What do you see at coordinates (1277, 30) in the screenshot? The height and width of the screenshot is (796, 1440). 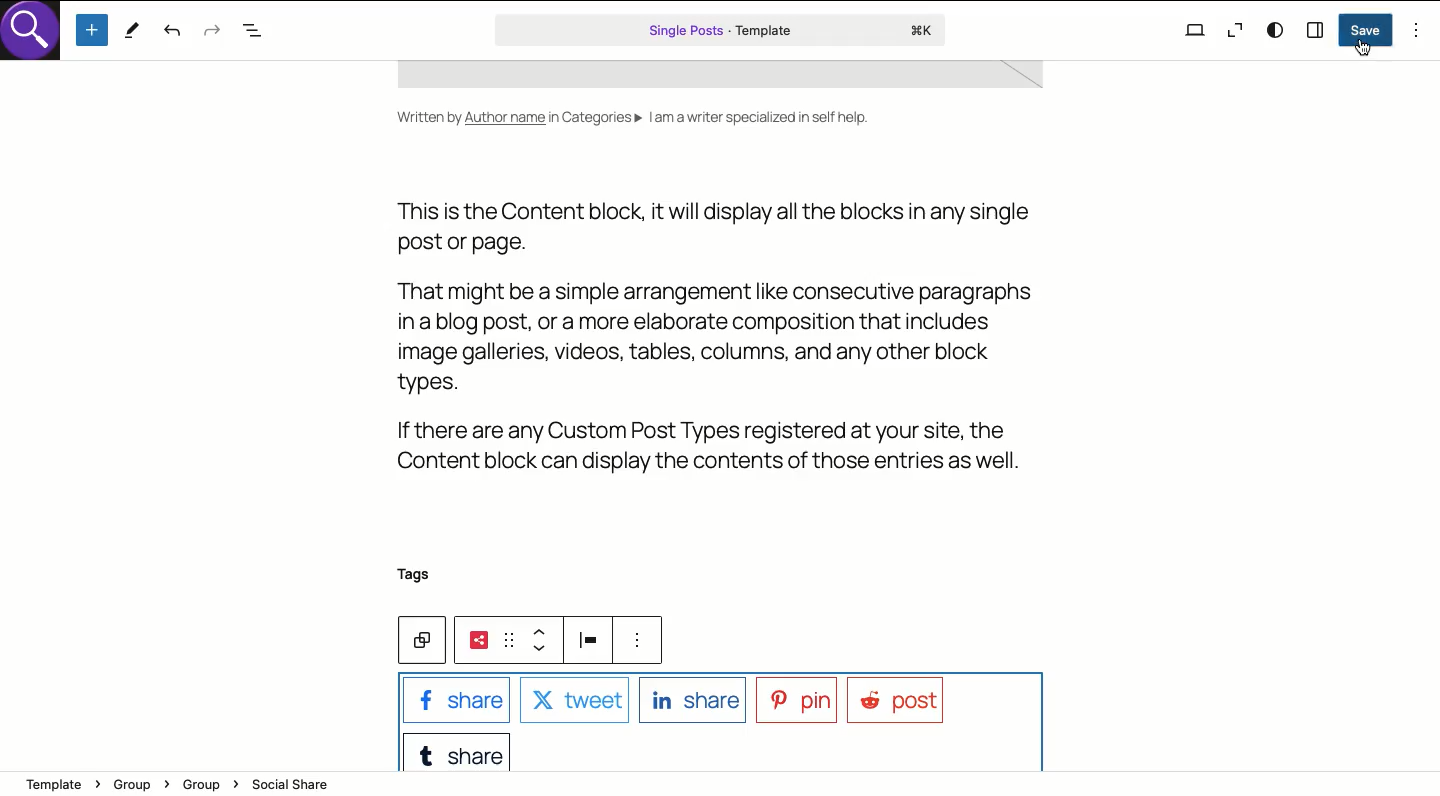 I see `Style` at bounding box center [1277, 30].